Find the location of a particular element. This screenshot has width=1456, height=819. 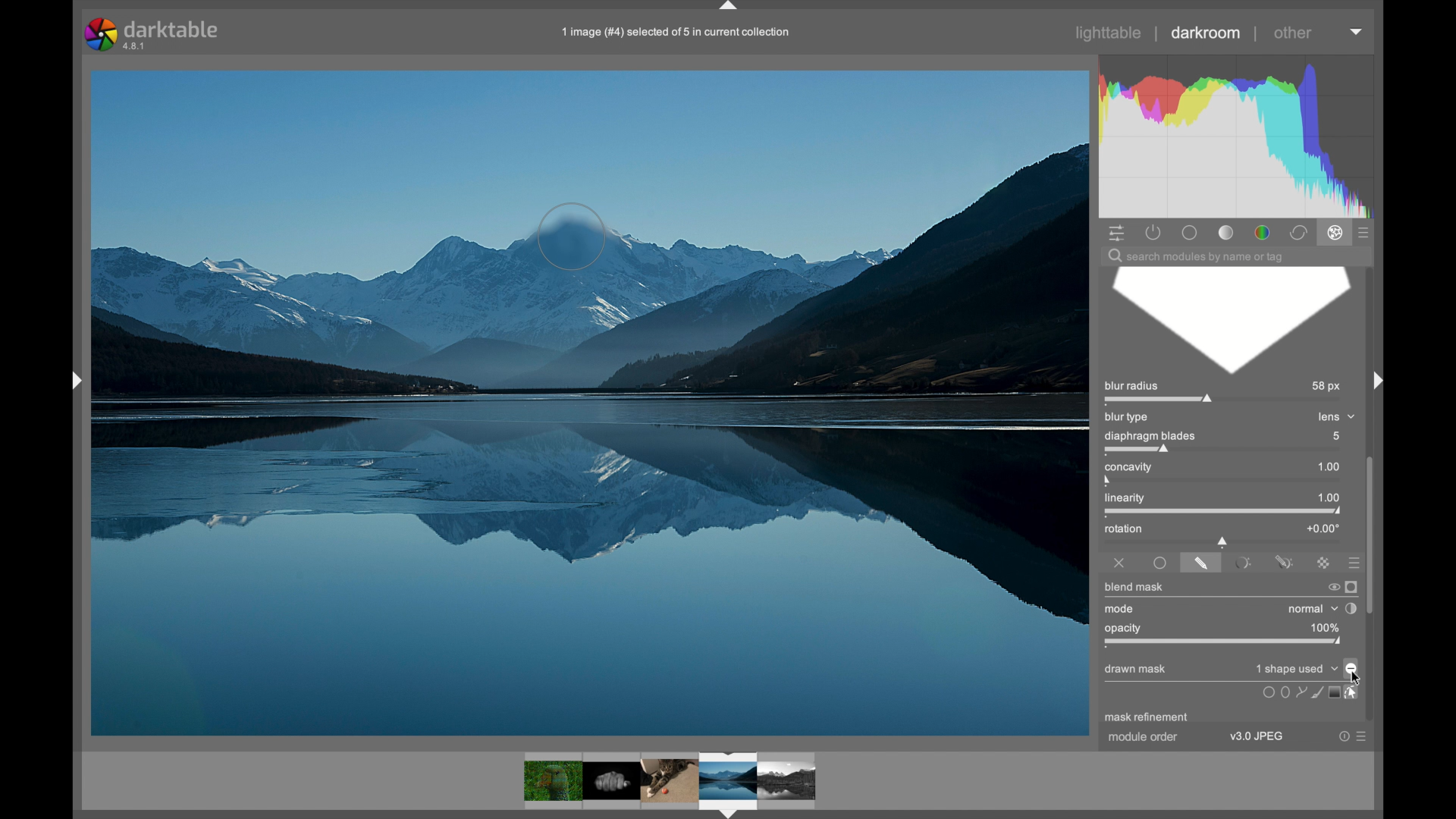

select is located at coordinates (1356, 694).